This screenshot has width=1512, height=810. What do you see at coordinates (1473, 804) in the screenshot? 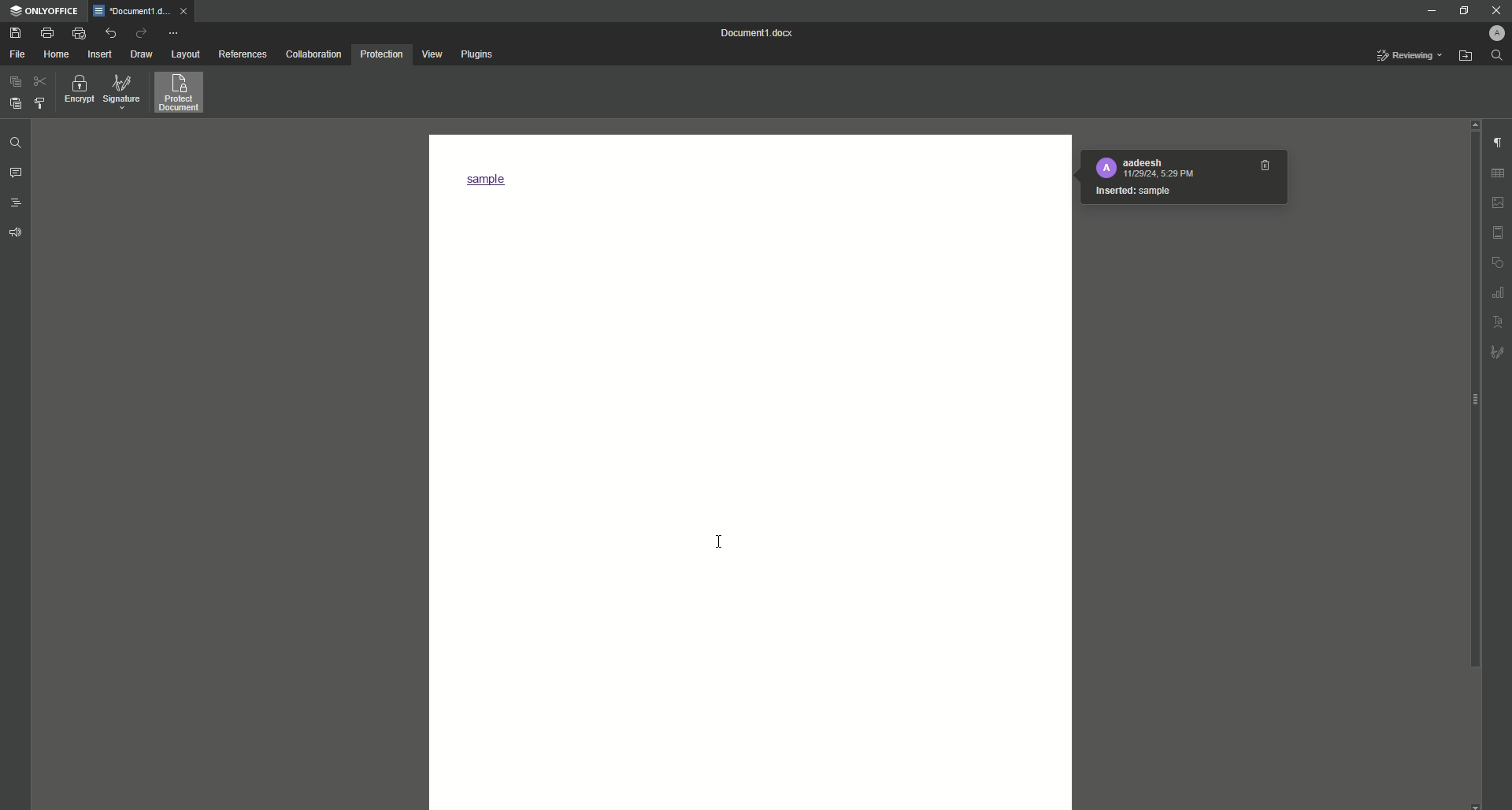
I see `scroll down` at bounding box center [1473, 804].